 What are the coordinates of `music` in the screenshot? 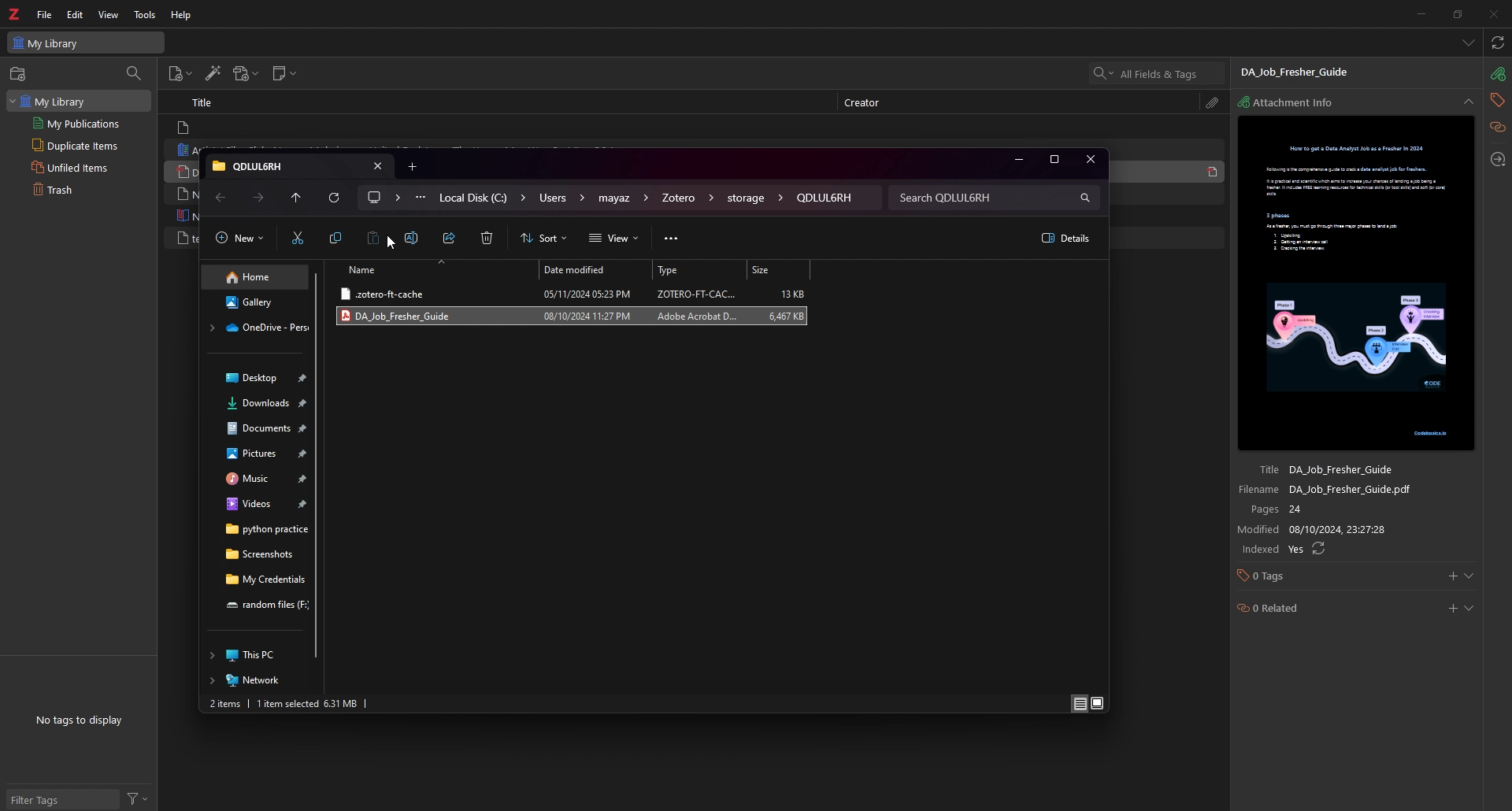 It's located at (261, 477).